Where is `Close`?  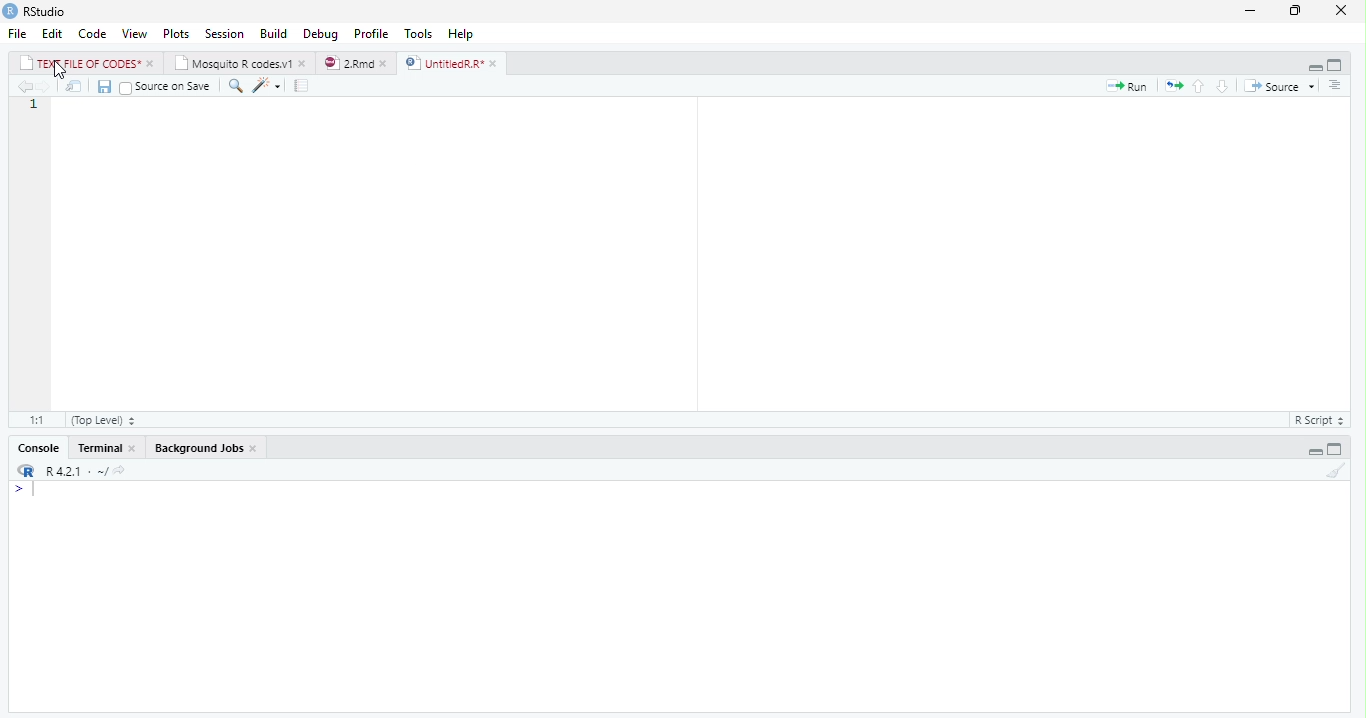
Close is located at coordinates (1342, 10).